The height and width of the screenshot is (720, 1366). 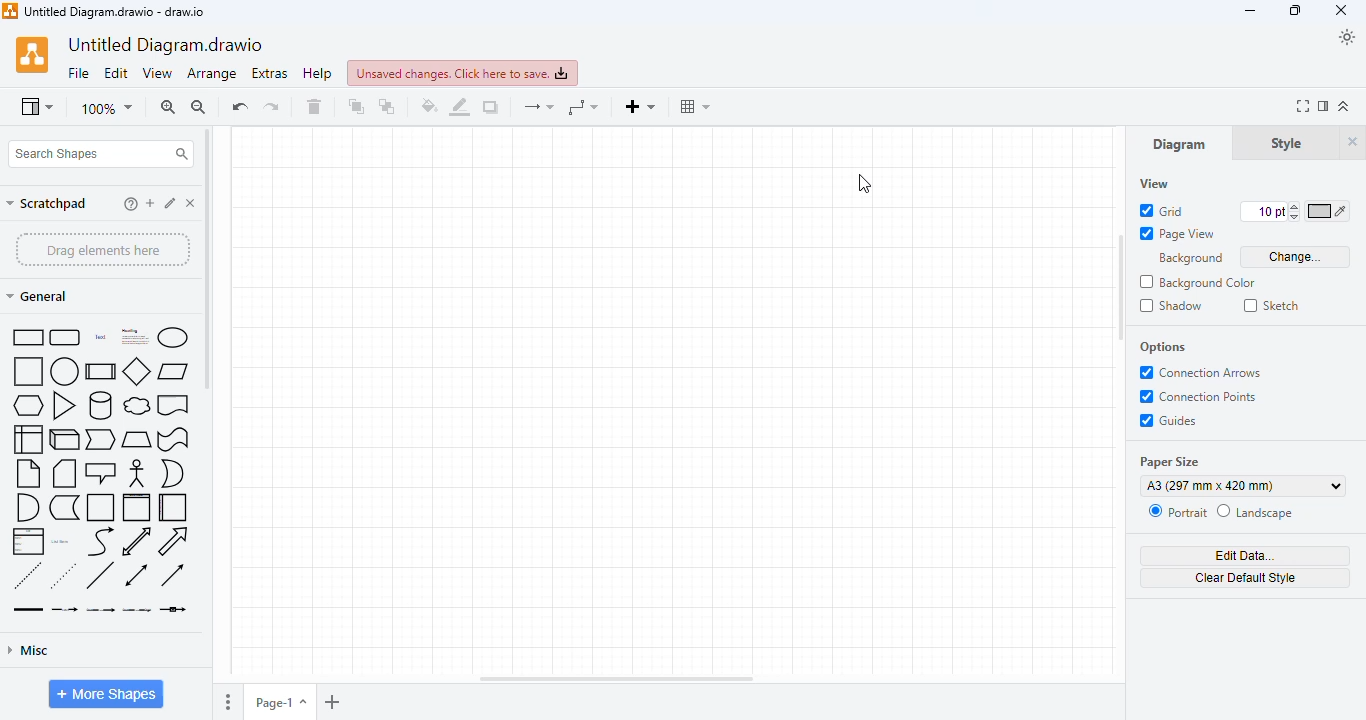 What do you see at coordinates (172, 337) in the screenshot?
I see `ellipse` at bounding box center [172, 337].